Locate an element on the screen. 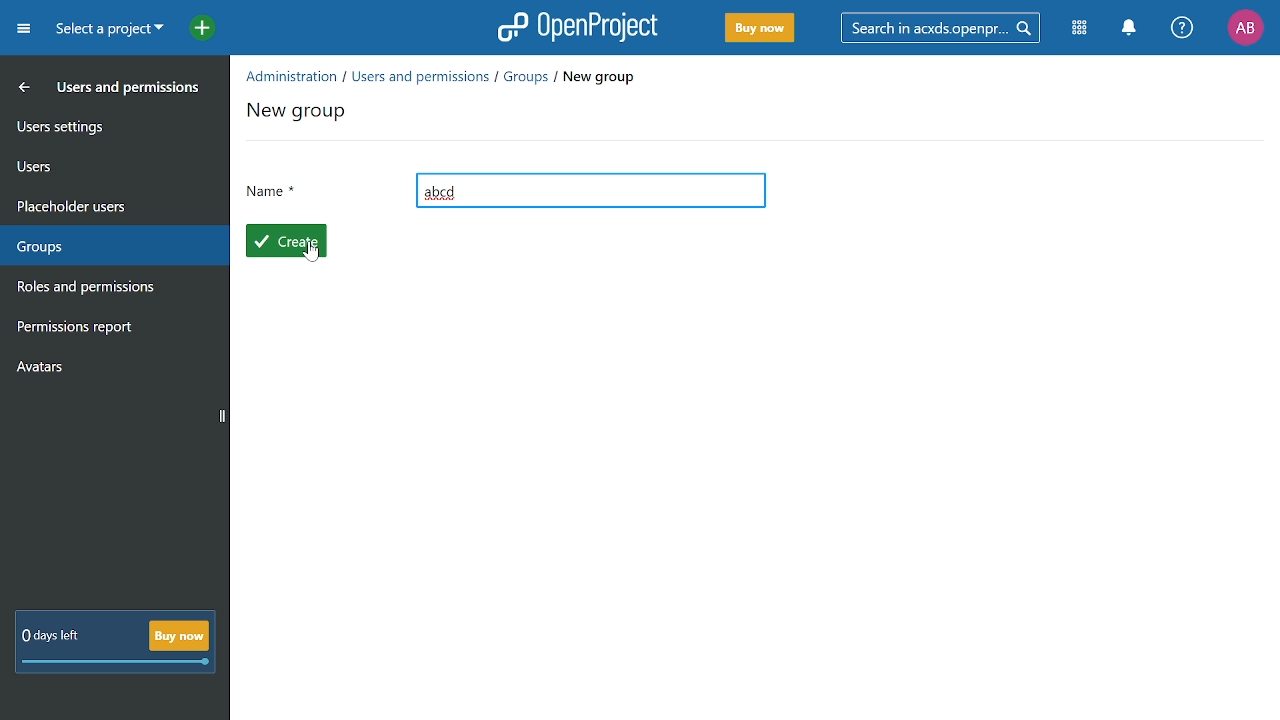  Buy Now is located at coordinates (760, 29).